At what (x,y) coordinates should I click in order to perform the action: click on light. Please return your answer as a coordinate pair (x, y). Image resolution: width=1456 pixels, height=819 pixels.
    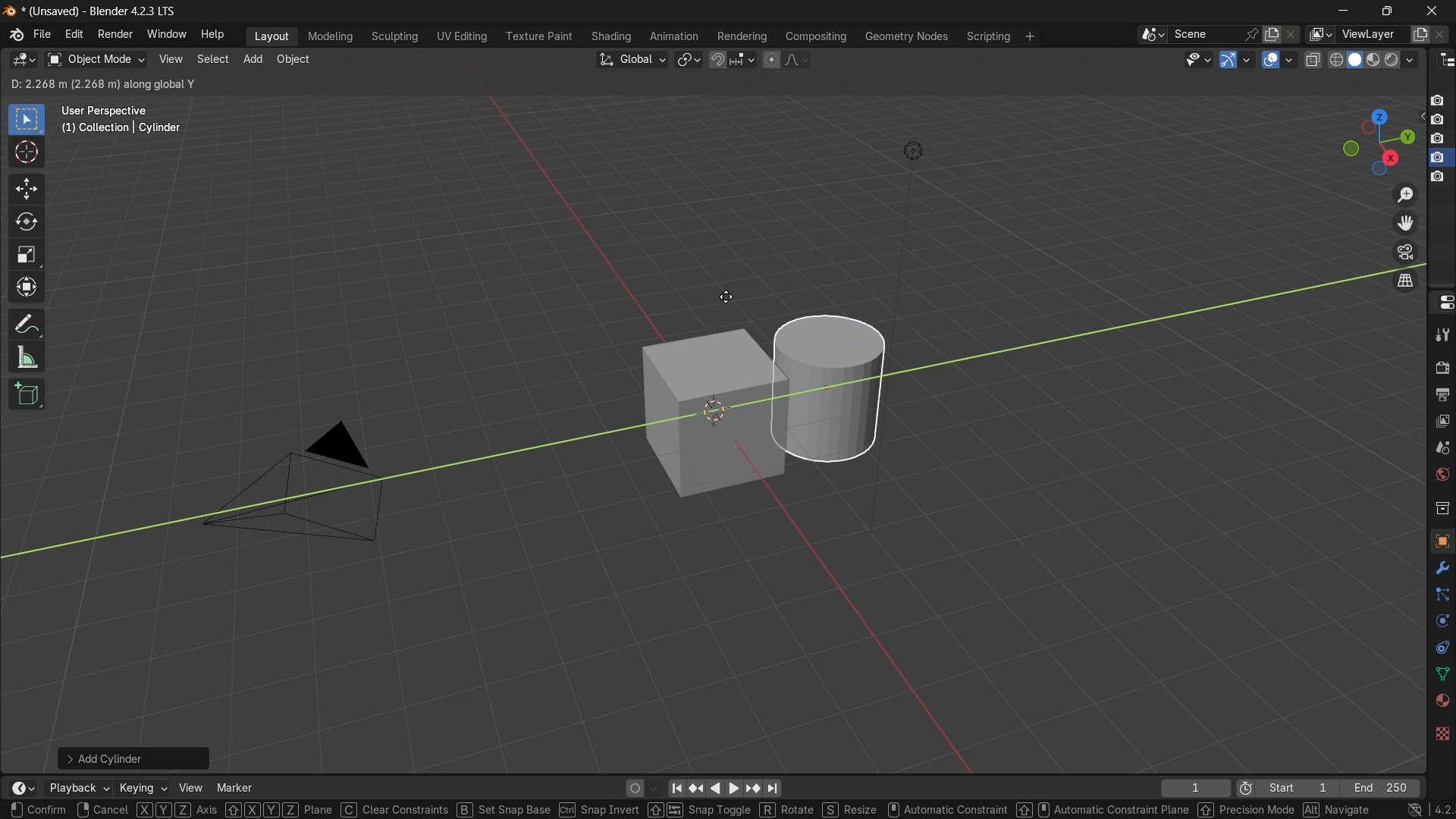
    Looking at the image, I should click on (908, 154).